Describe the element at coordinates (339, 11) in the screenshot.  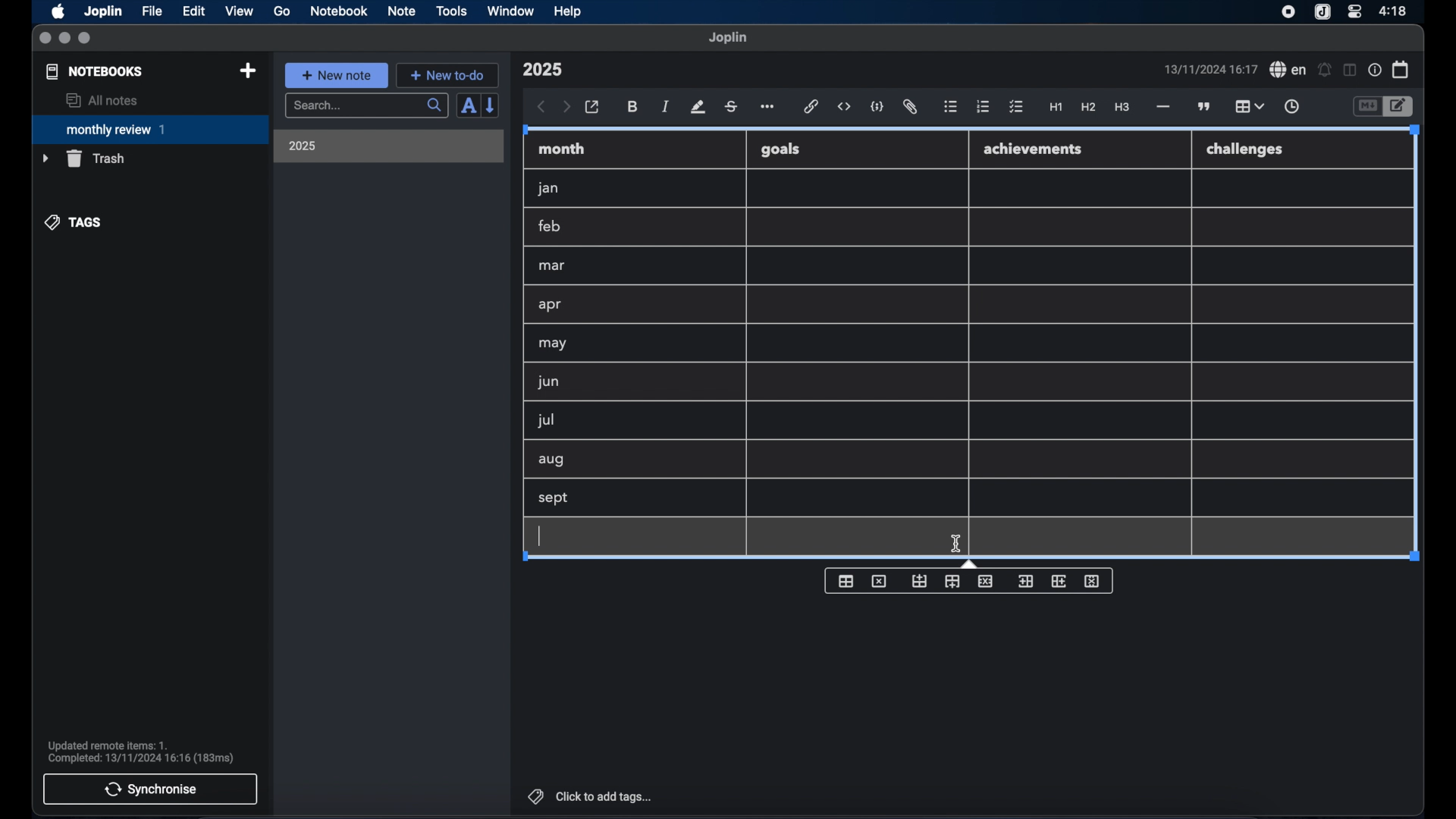
I see `notebook` at that location.